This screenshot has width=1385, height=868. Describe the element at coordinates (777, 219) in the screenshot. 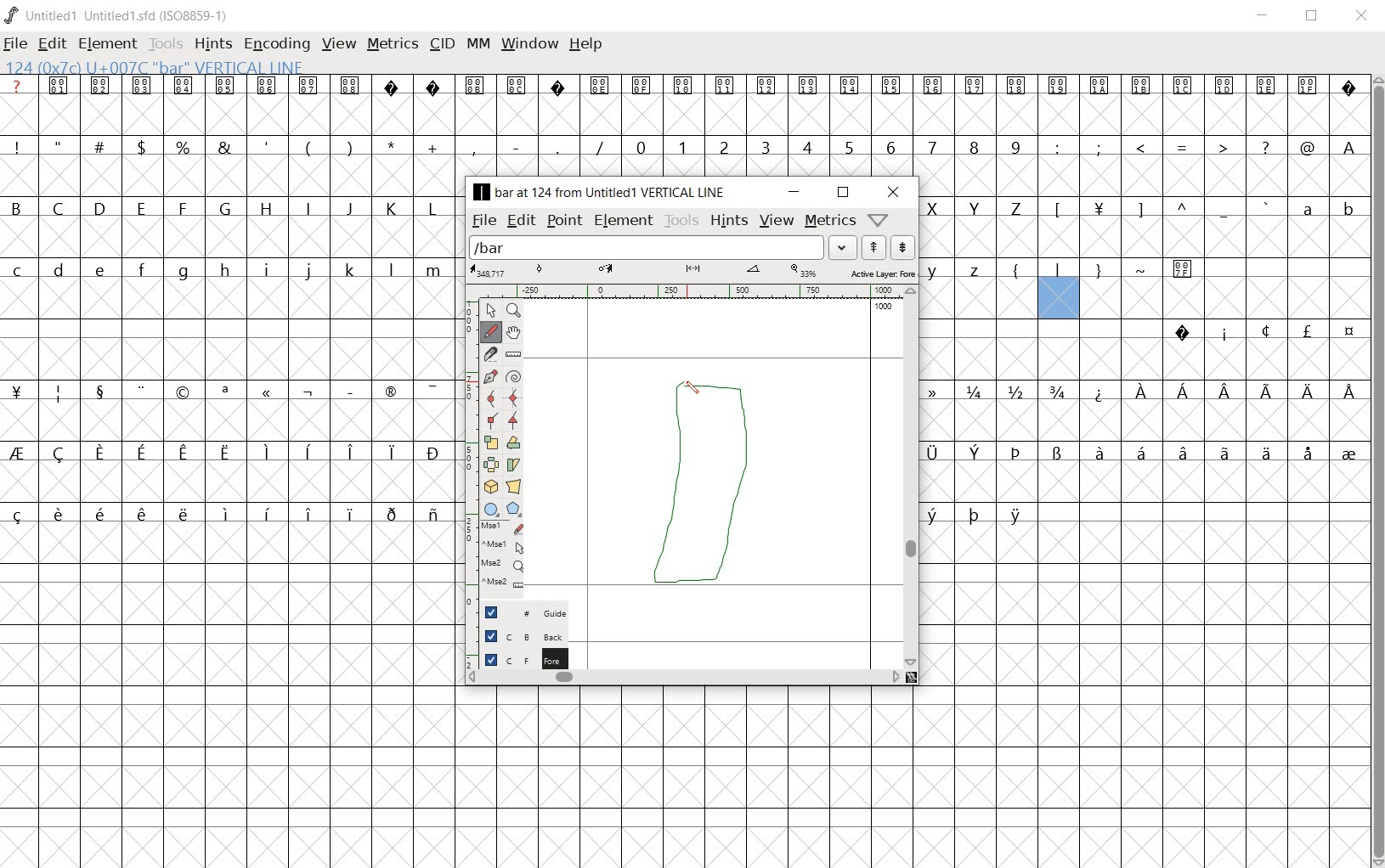

I see `view` at that location.